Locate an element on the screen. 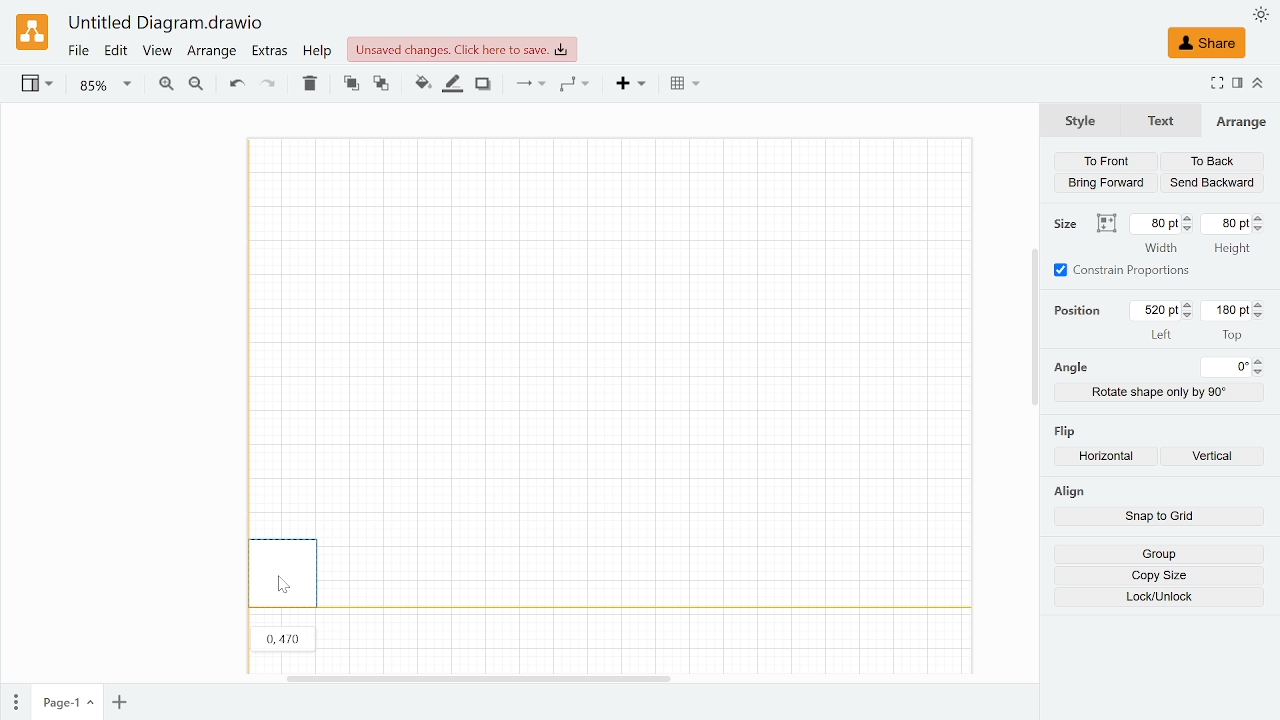 Image resolution: width=1280 pixels, height=720 pixels. Horizontal scrollbar is located at coordinates (479, 677).